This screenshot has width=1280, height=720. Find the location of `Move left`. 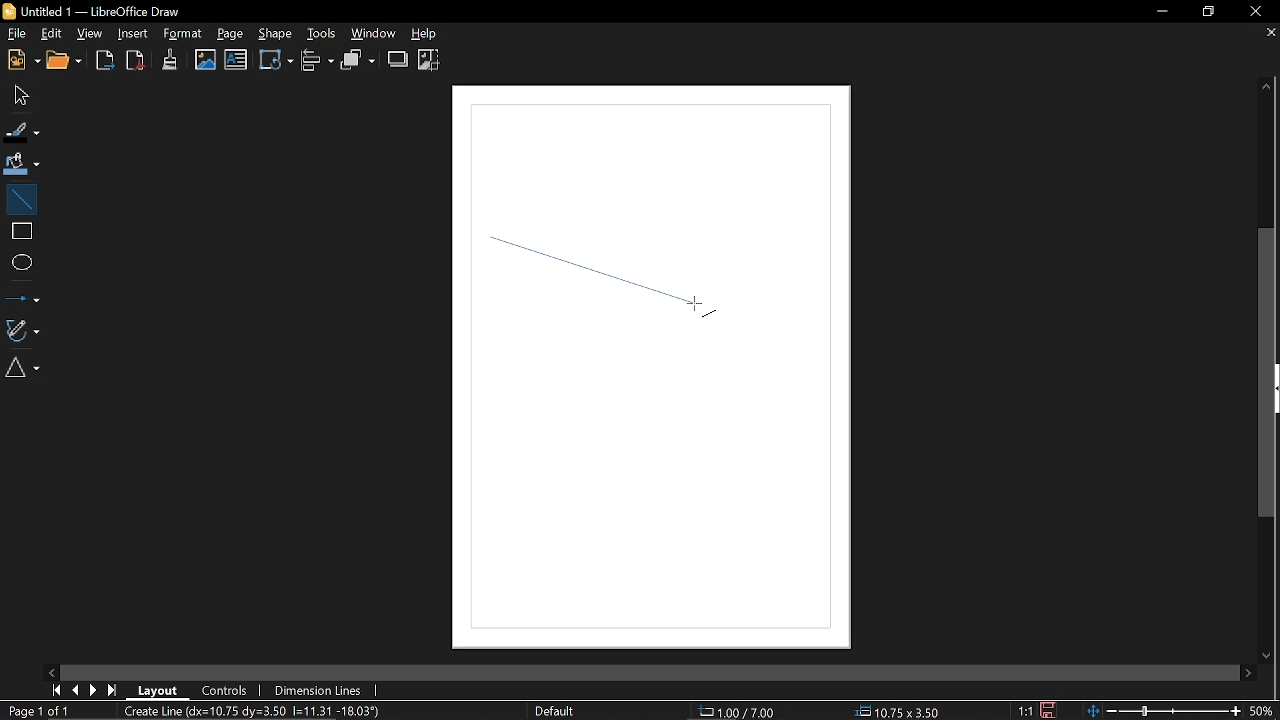

Move left is located at coordinates (54, 671).